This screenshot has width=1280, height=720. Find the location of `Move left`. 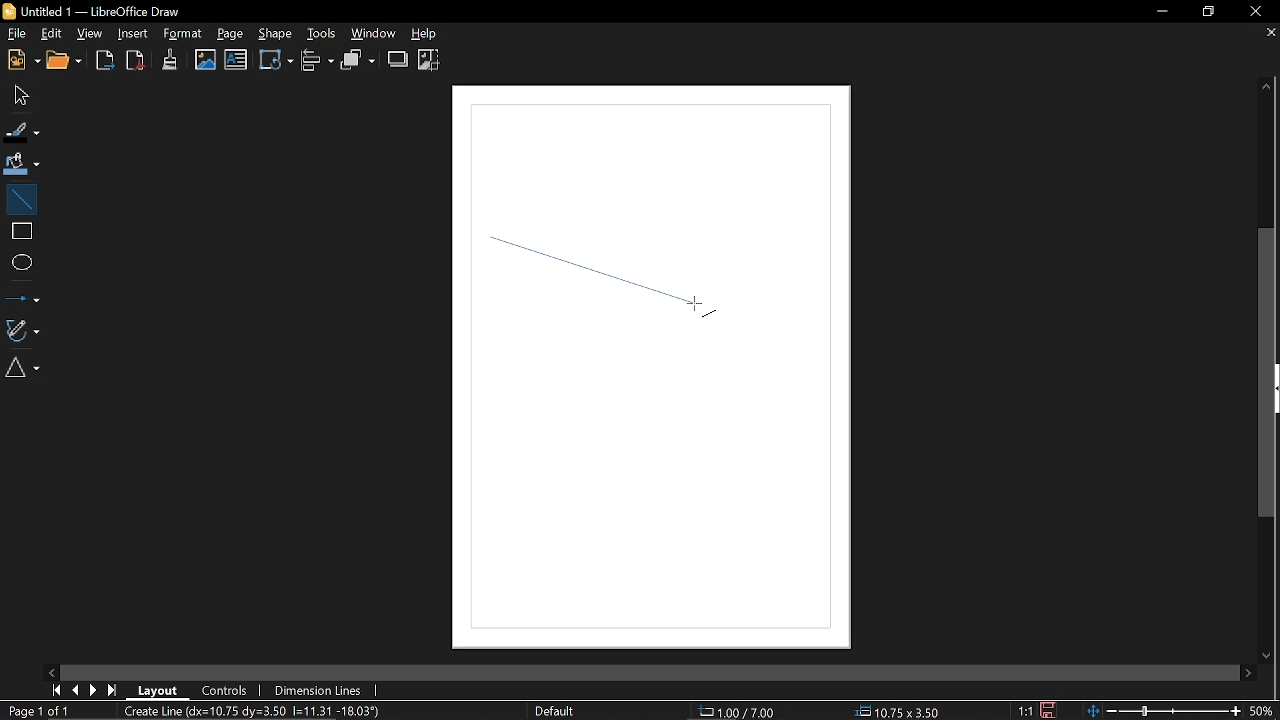

Move left is located at coordinates (54, 671).